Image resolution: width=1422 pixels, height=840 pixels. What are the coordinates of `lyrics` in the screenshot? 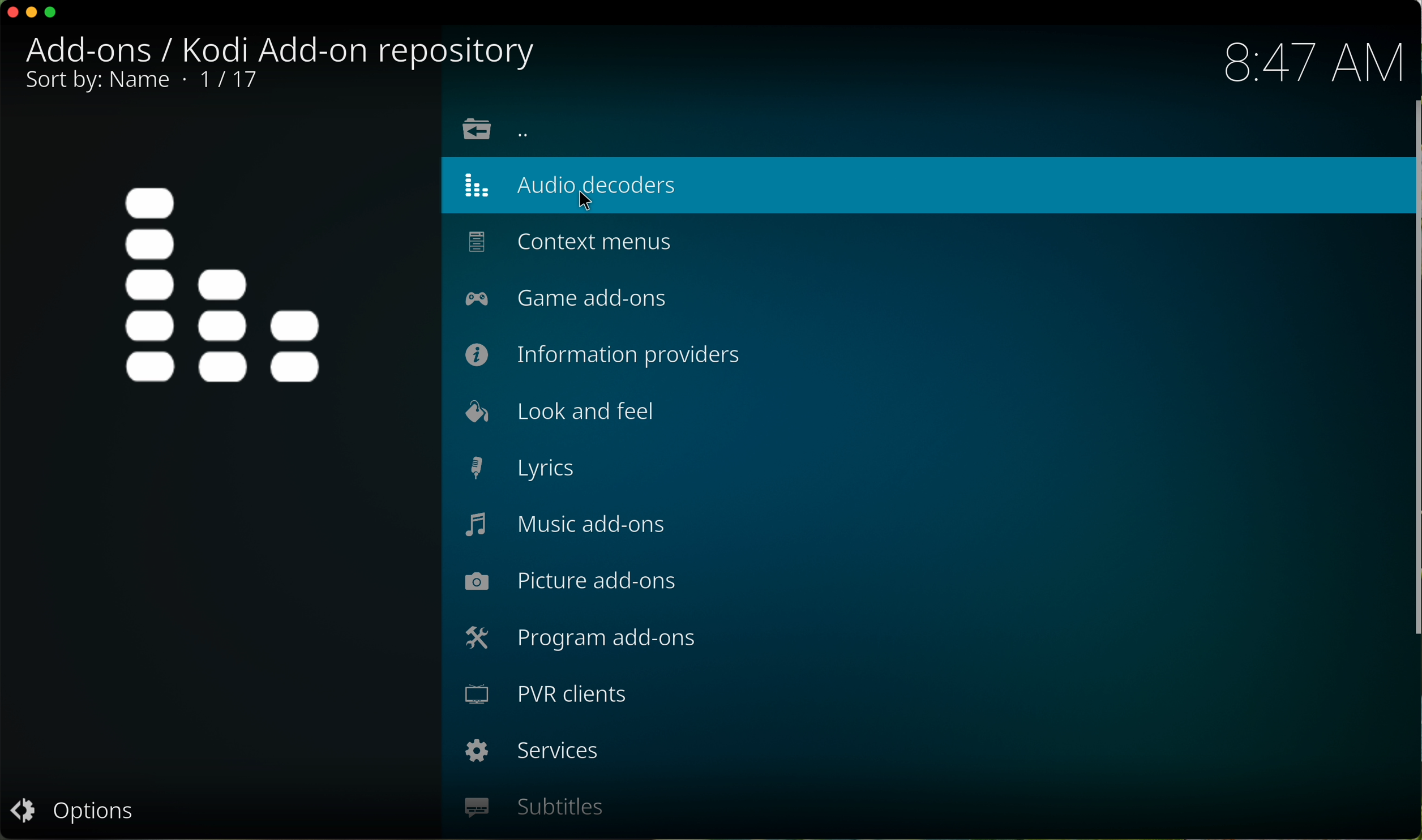 It's located at (521, 469).